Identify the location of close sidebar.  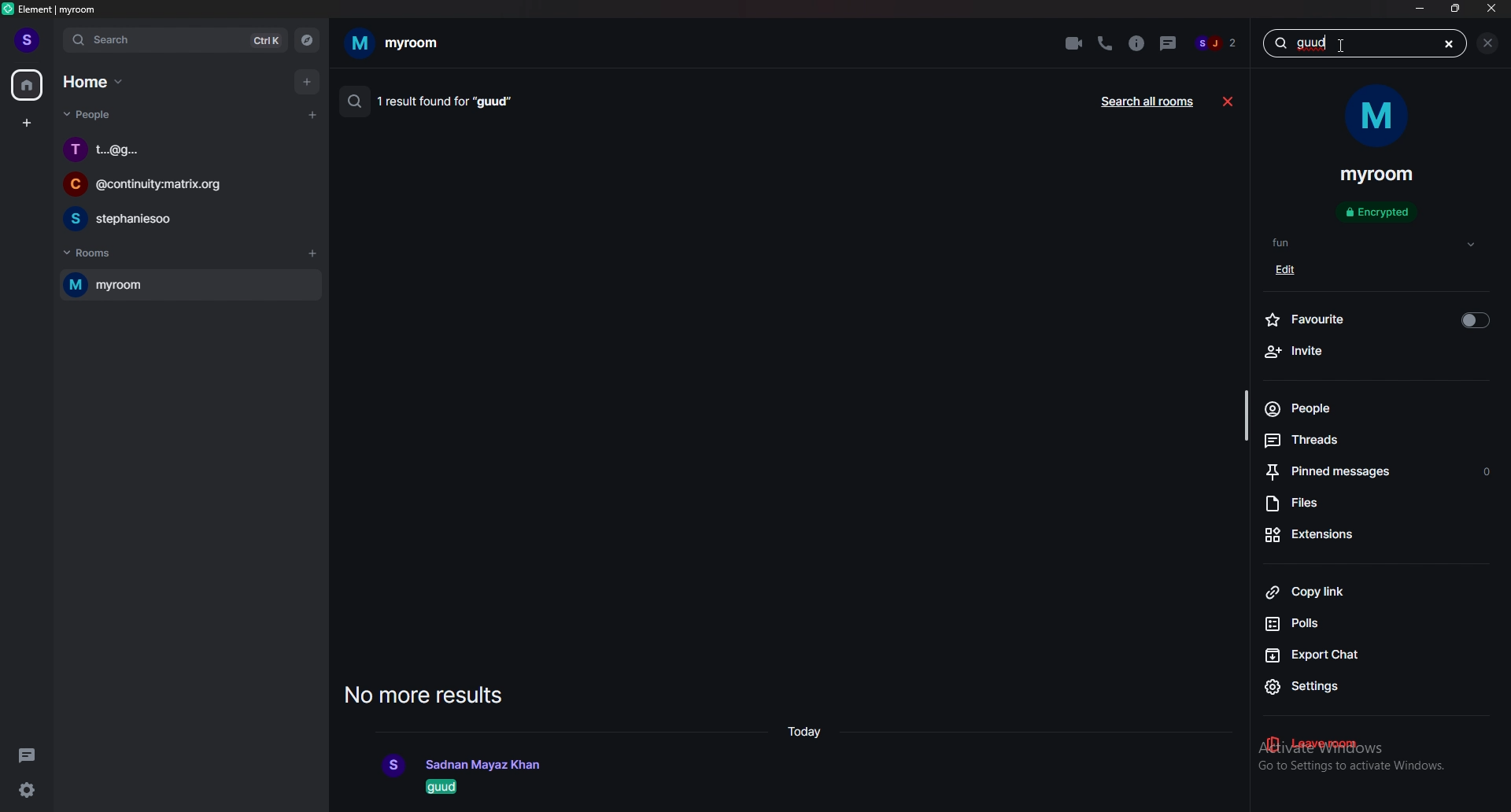
(1491, 42).